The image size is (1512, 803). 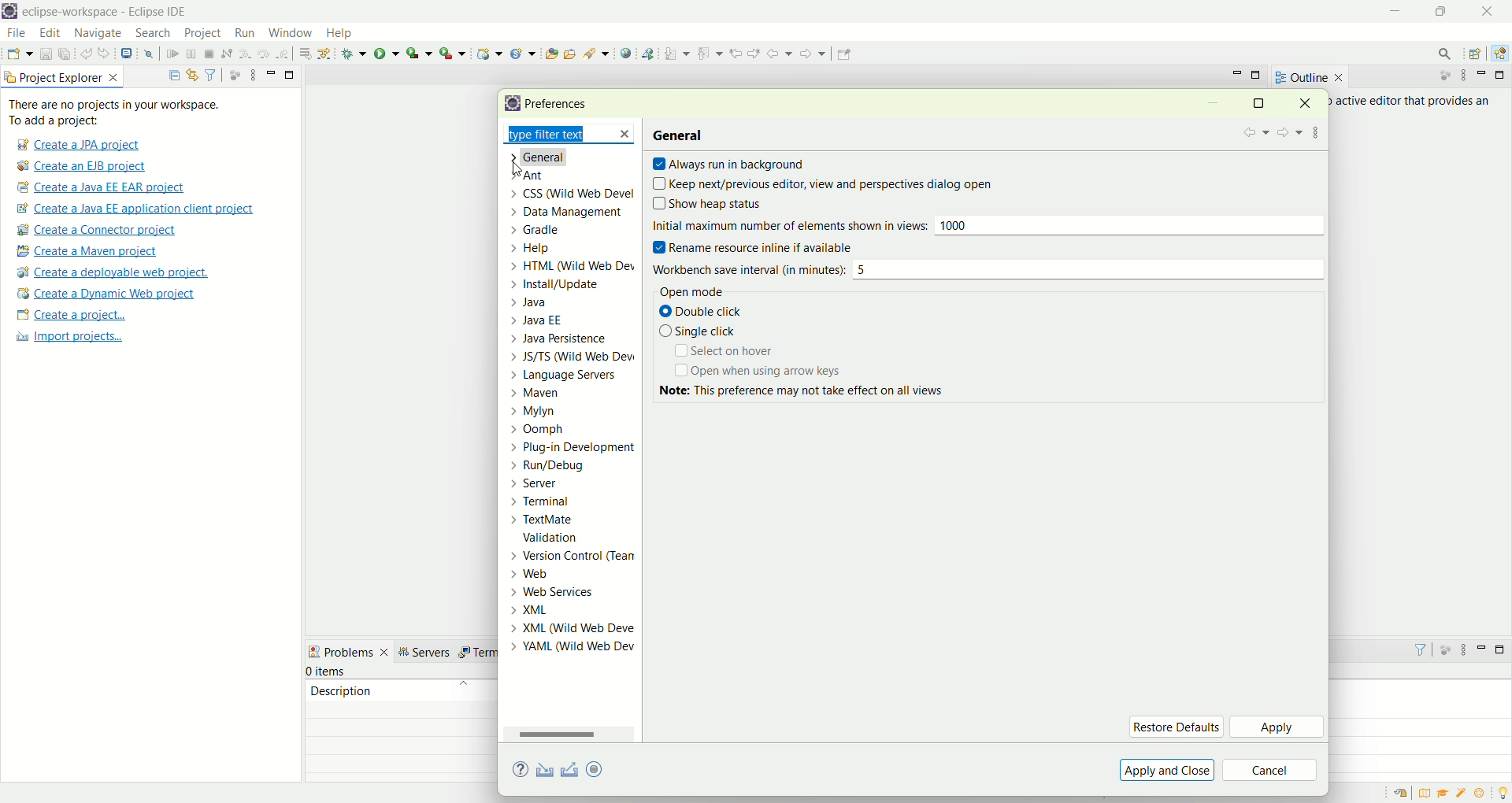 I want to click on open, so click(x=20, y=56).